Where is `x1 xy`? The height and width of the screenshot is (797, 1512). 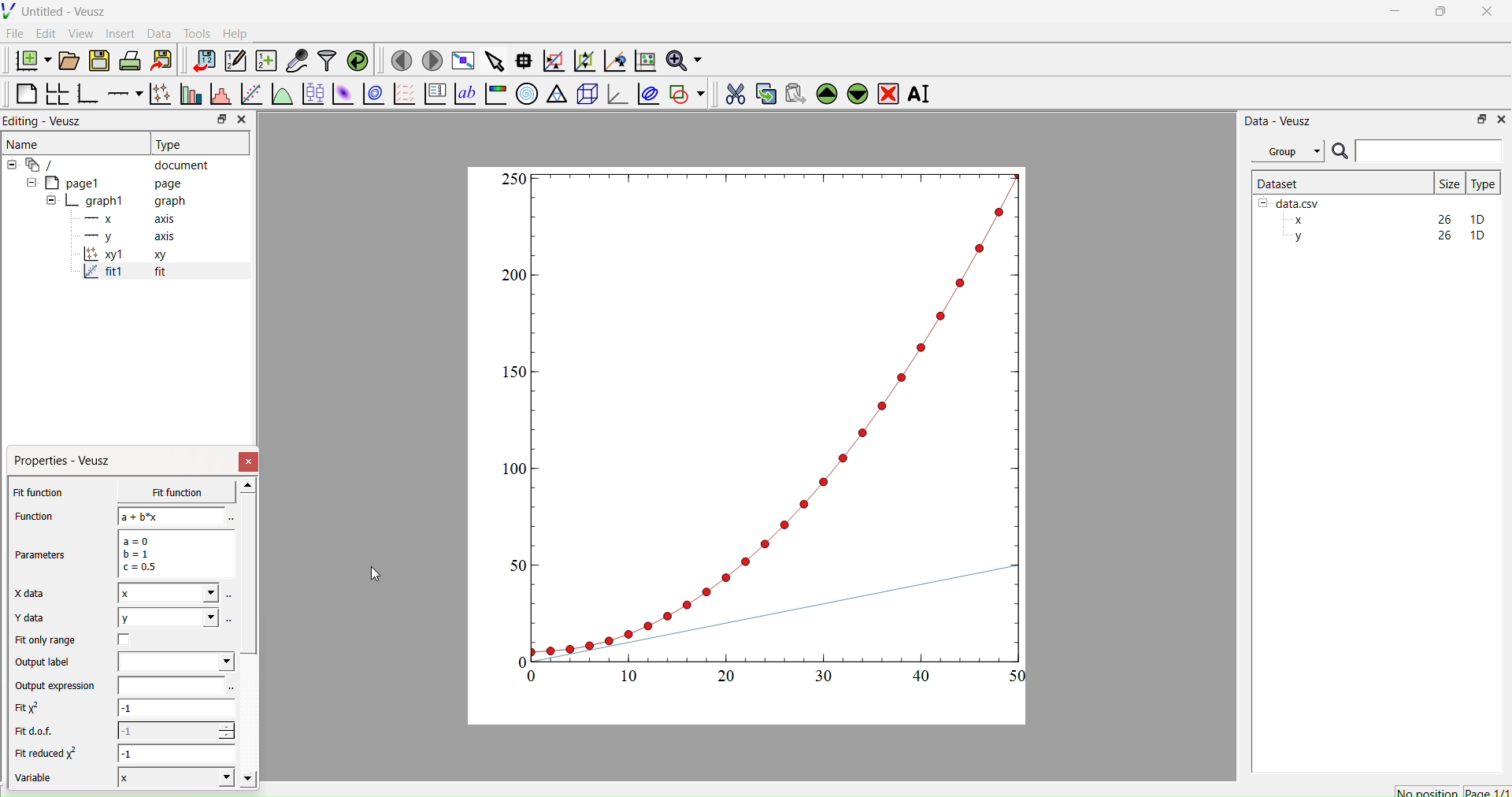
x1 xy is located at coordinates (124, 256).